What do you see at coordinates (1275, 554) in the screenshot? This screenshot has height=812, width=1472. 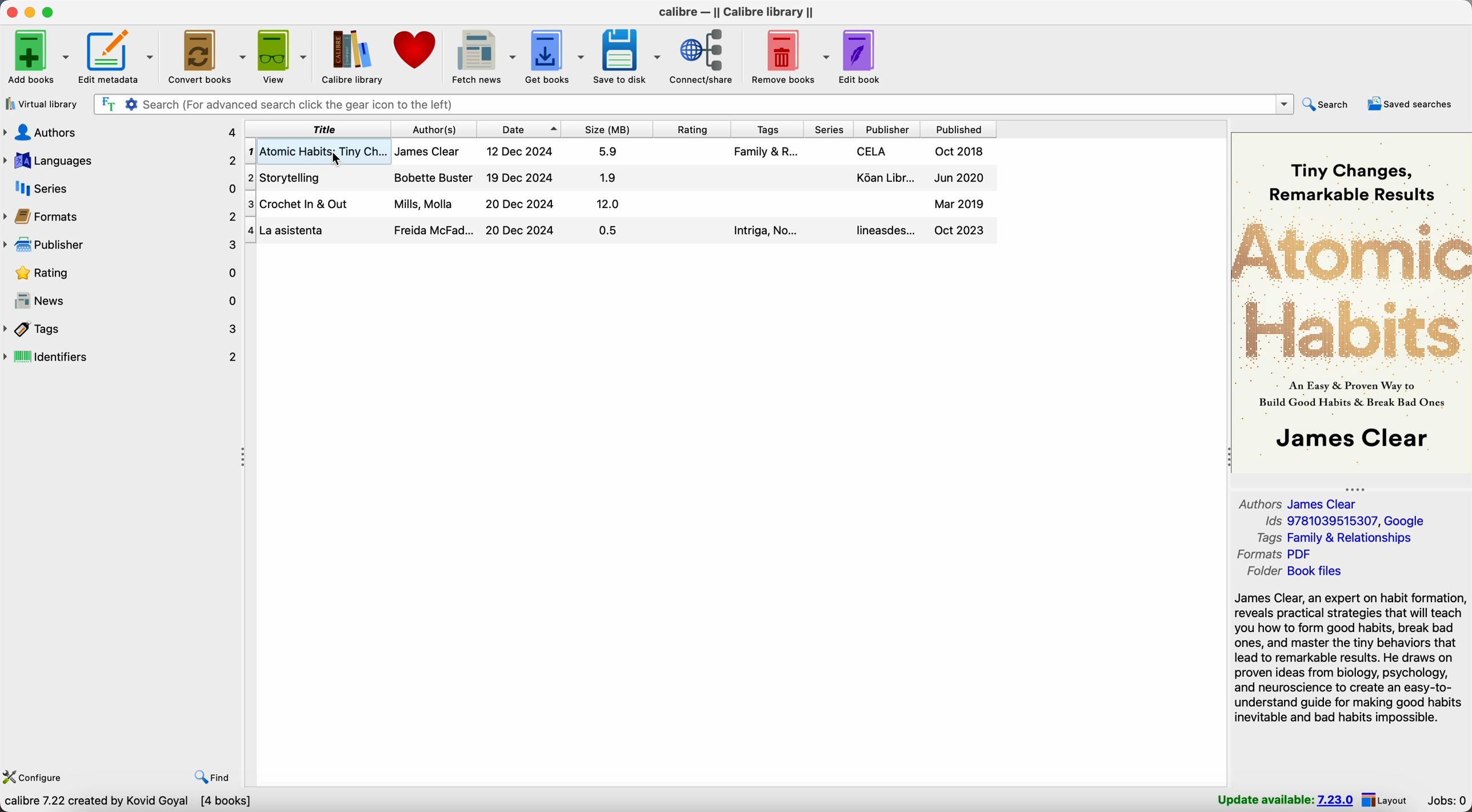 I see `formats` at bounding box center [1275, 554].